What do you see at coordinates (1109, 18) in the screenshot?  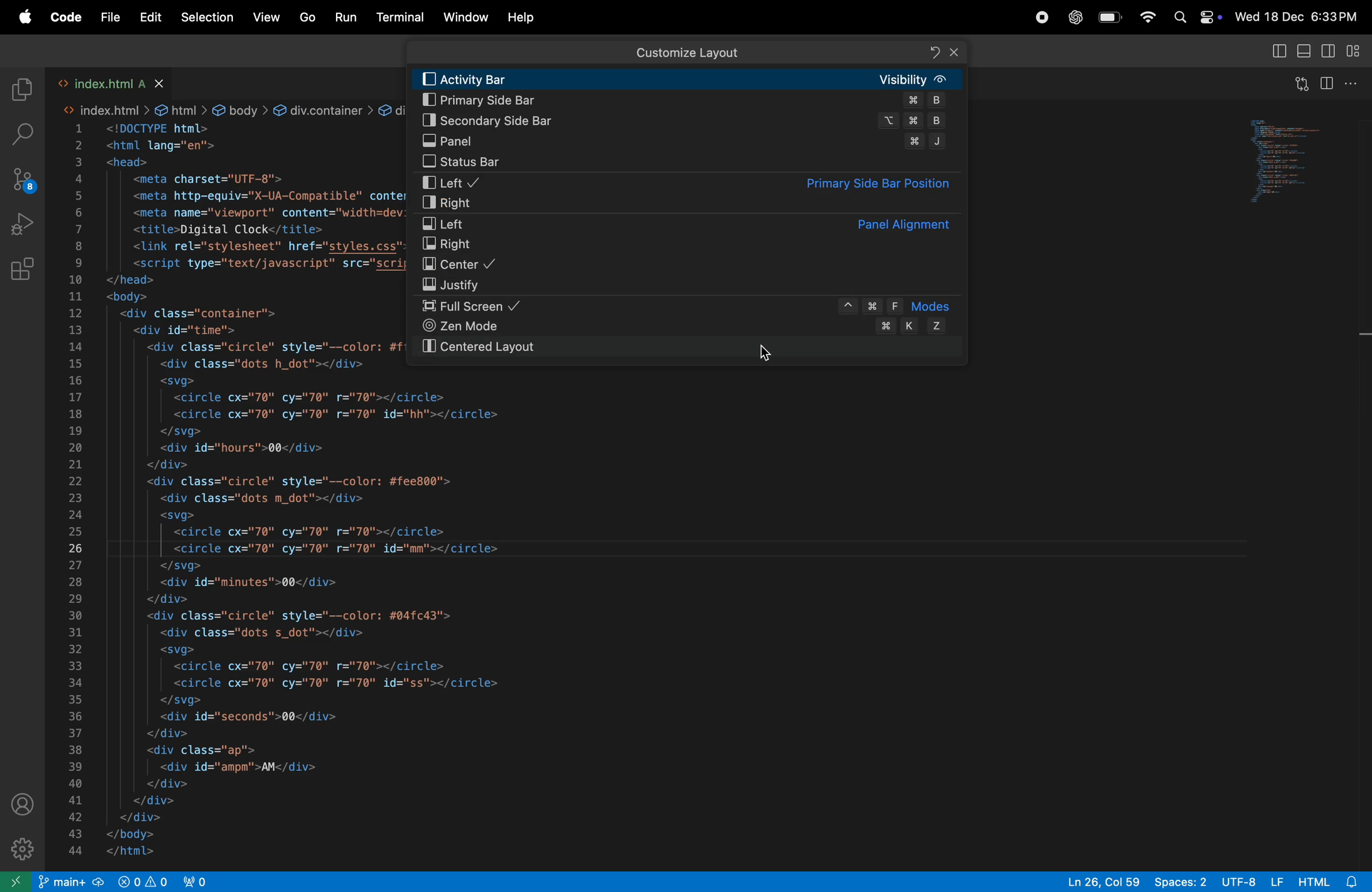 I see `battery` at bounding box center [1109, 18].